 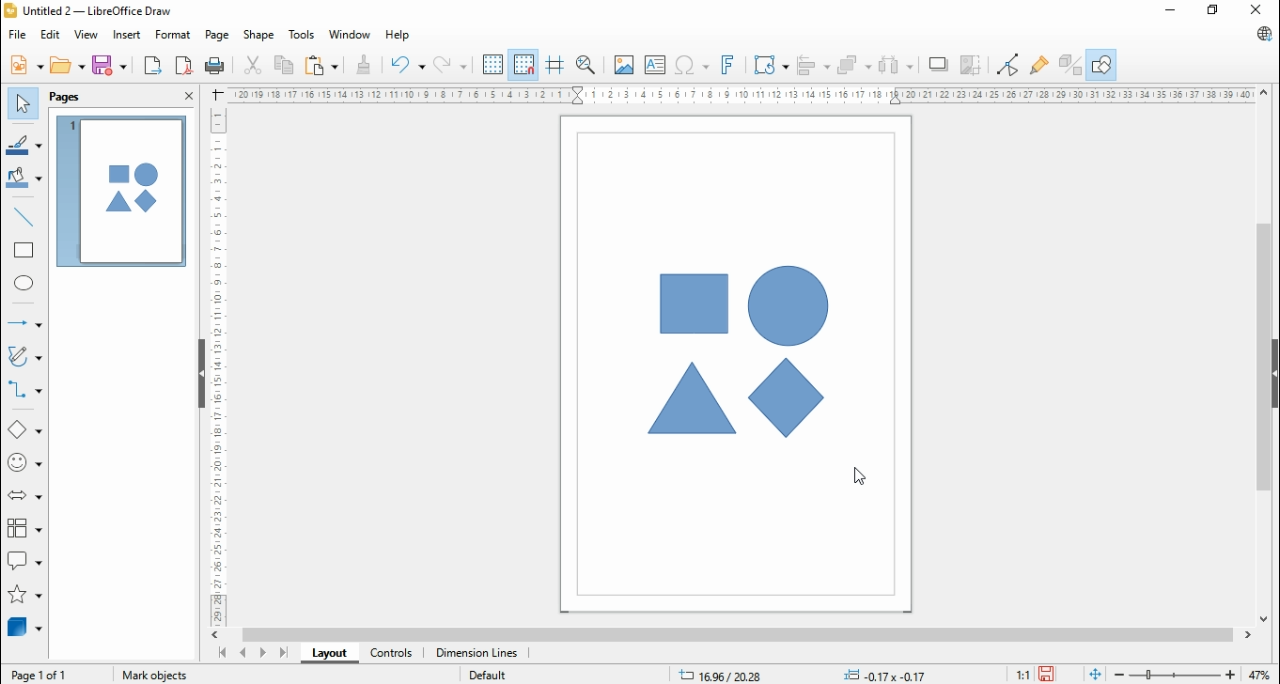 I want to click on page 1, so click(x=121, y=192).